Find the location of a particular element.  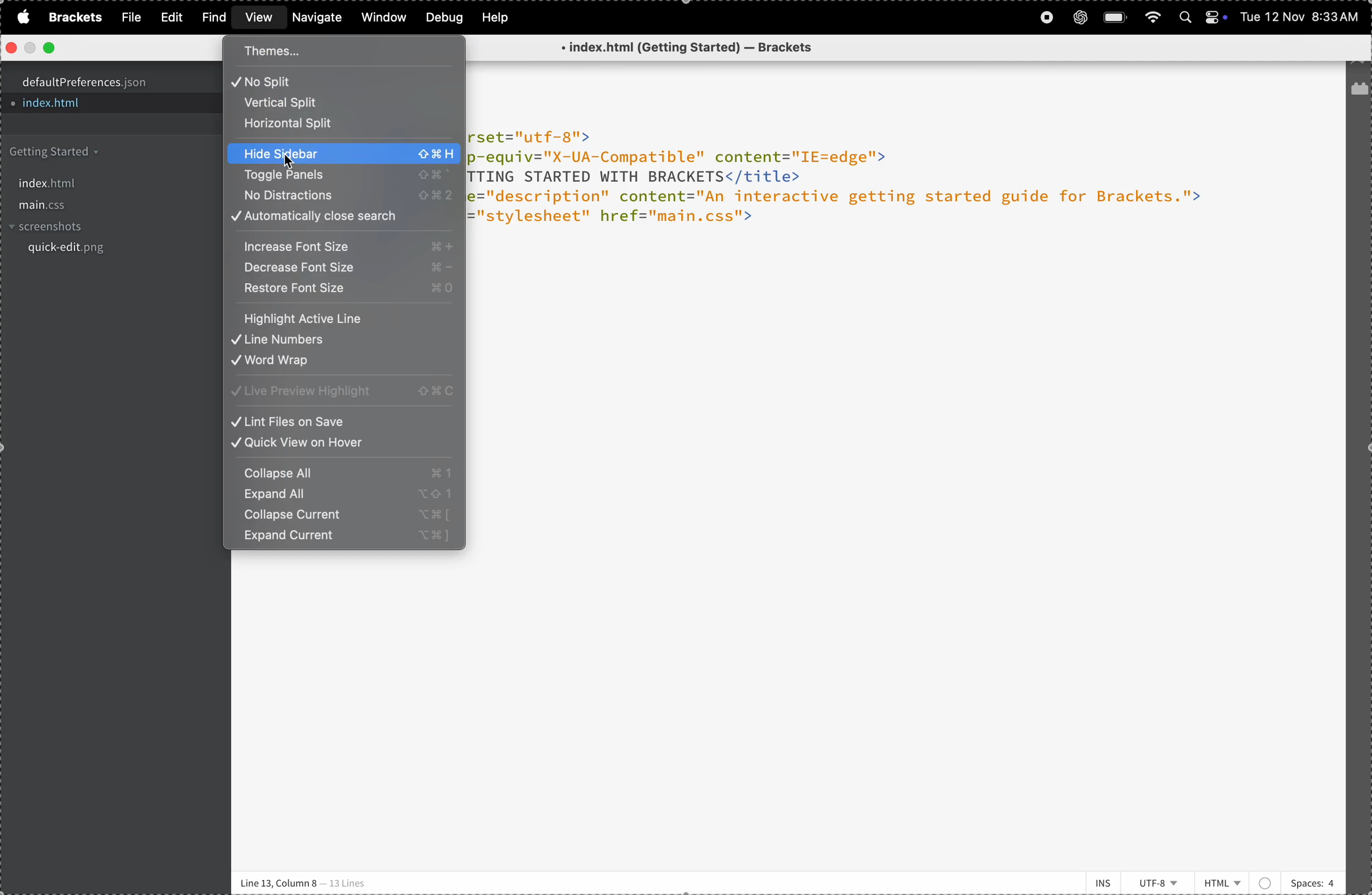

navigate is located at coordinates (318, 18).